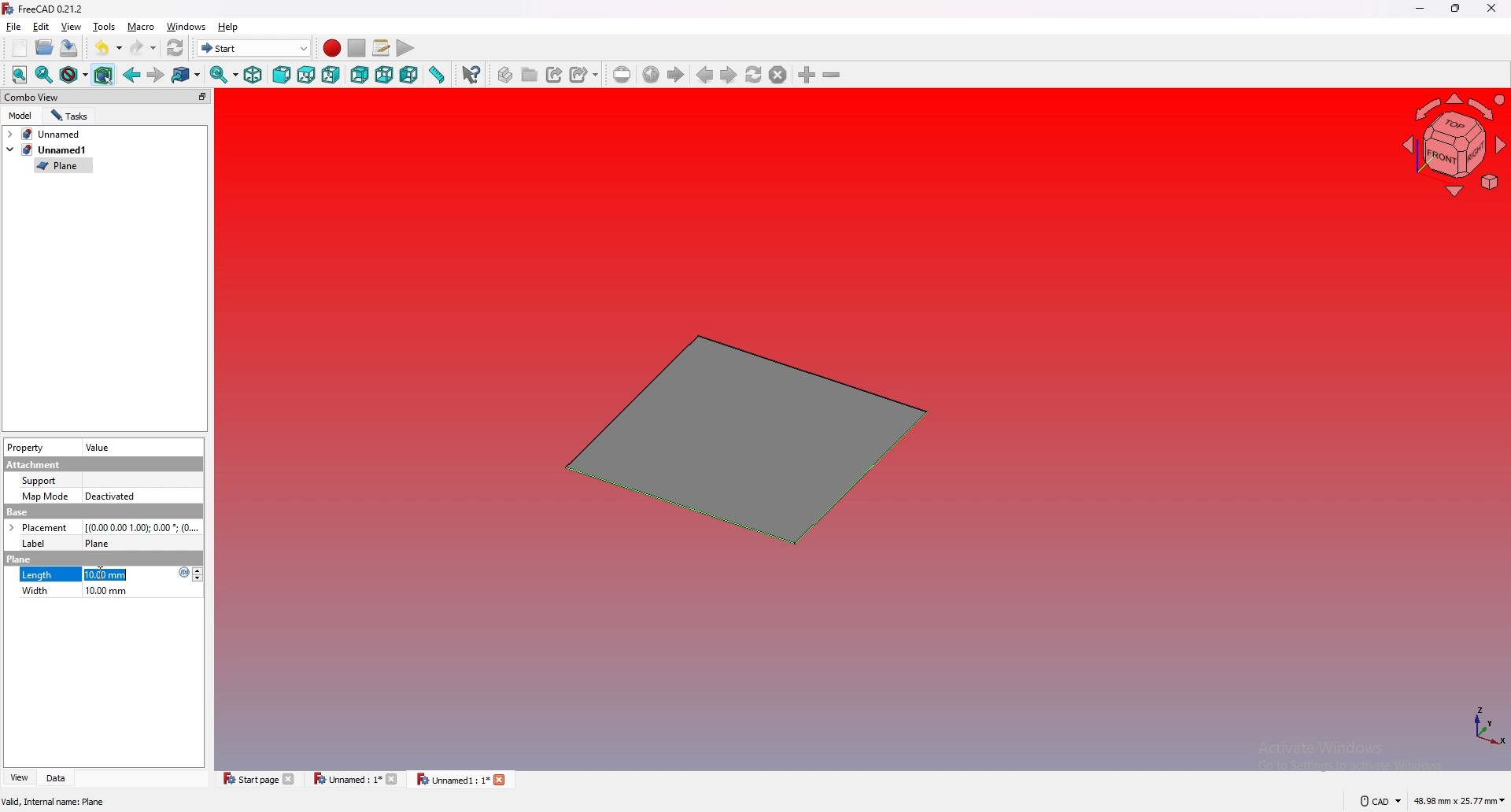 Image resolution: width=1511 pixels, height=812 pixels. What do you see at coordinates (461, 781) in the screenshot?
I see ` Unnamed 1 : 1*` at bounding box center [461, 781].